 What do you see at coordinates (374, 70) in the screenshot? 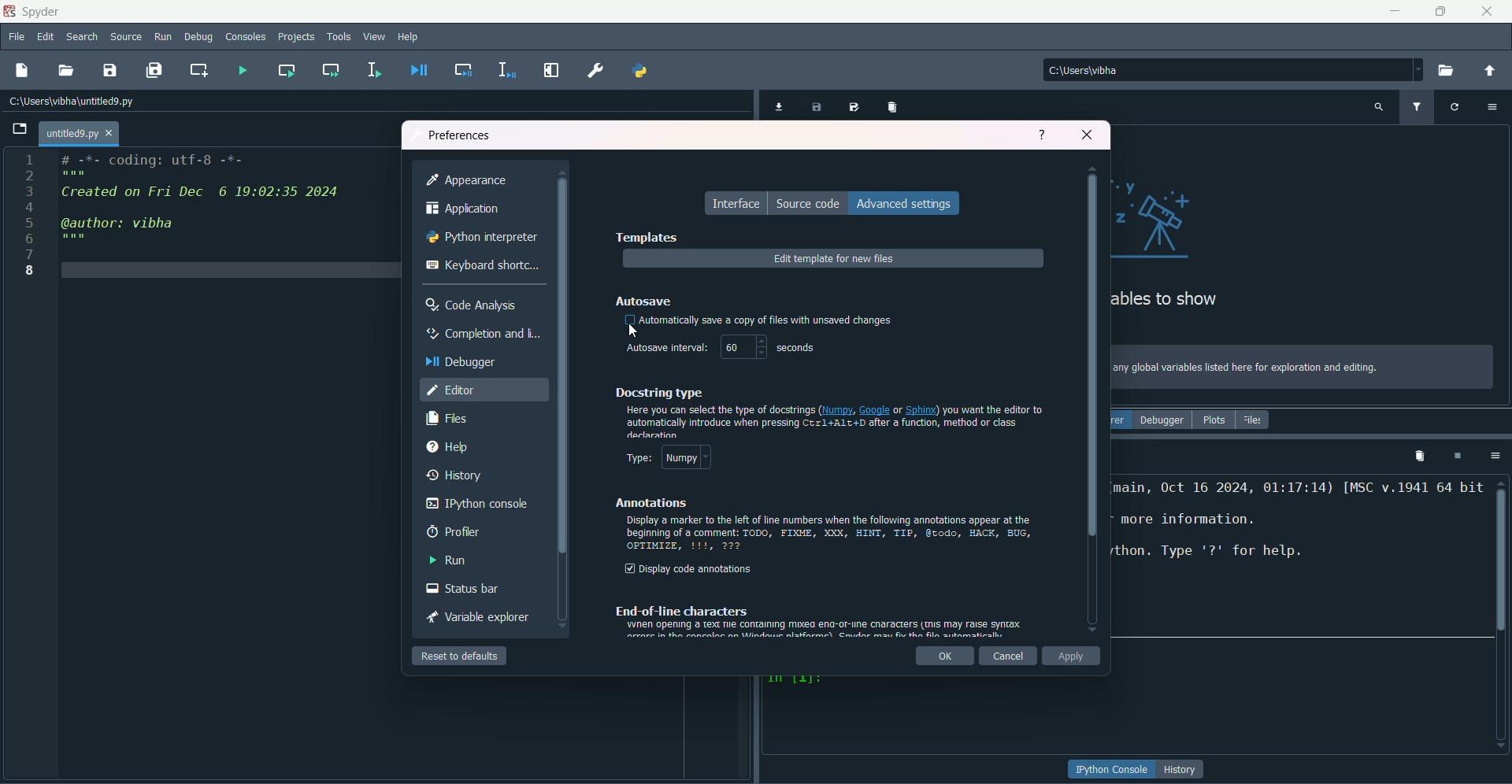
I see `run selection` at bounding box center [374, 70].